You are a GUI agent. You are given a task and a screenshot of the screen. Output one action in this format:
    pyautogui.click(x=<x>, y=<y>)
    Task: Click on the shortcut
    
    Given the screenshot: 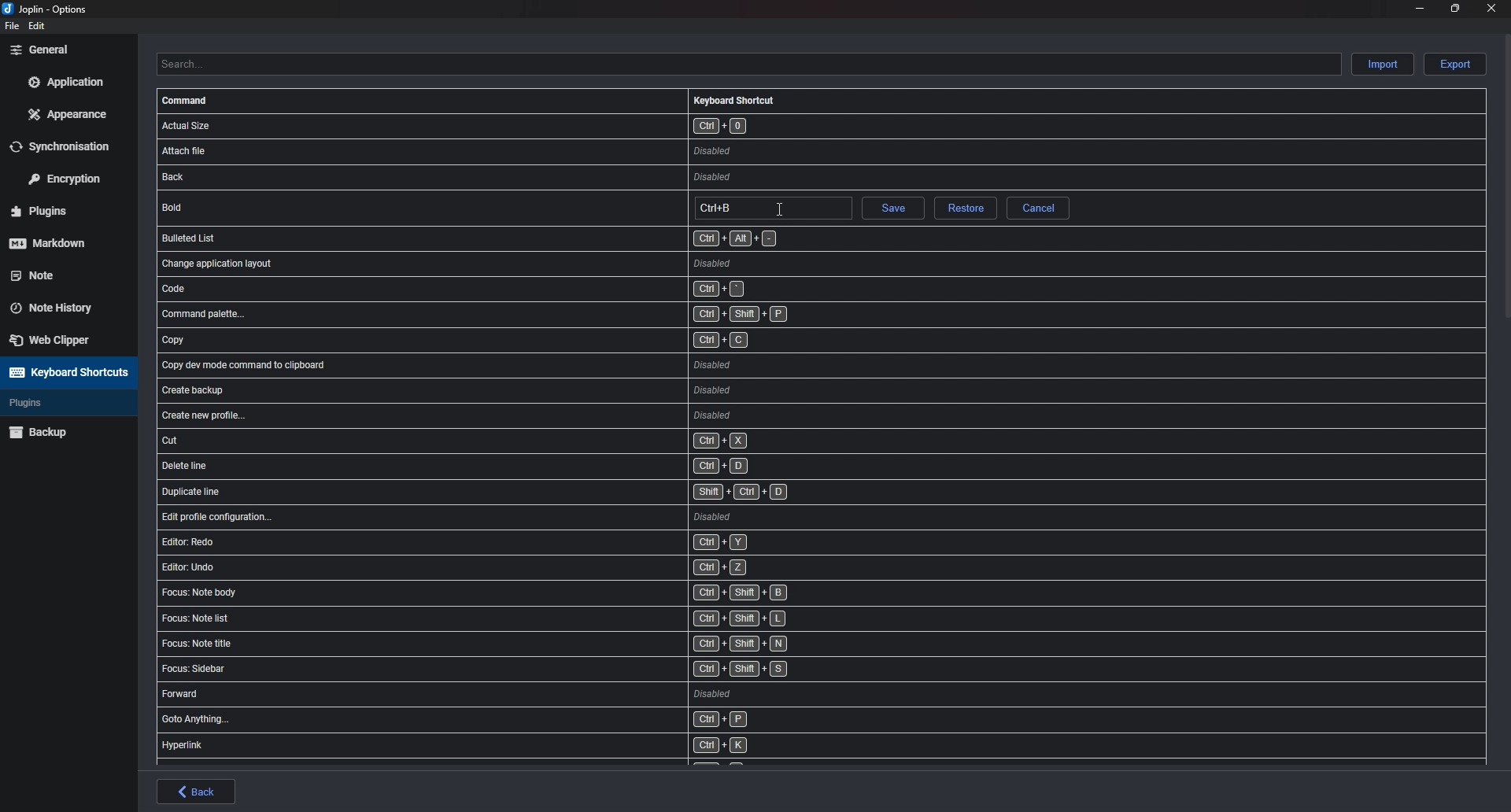 What is the action you would take?
    pyautogui.click(x=520, y=150)
    